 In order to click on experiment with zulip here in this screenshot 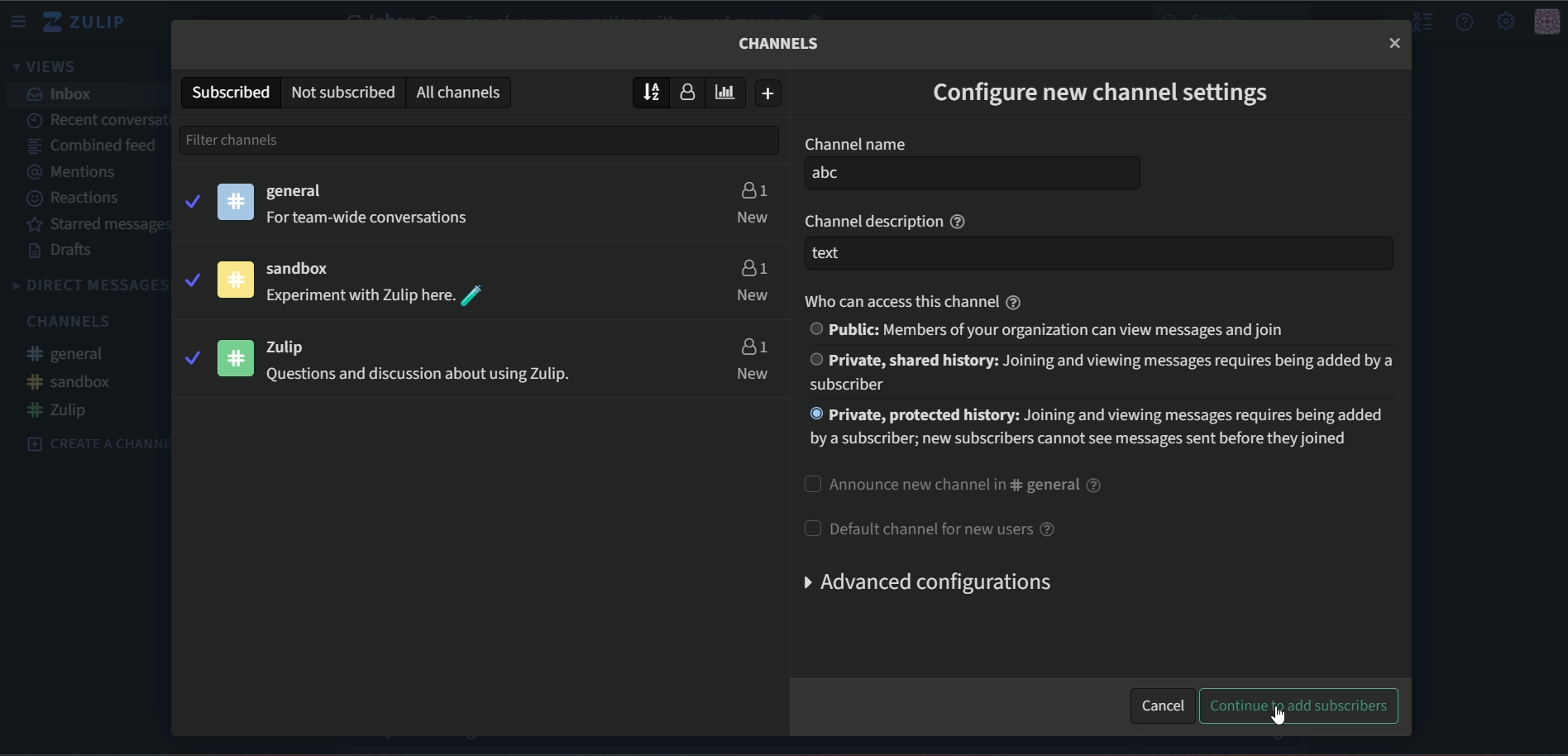, I will do `click(377, 296)`.